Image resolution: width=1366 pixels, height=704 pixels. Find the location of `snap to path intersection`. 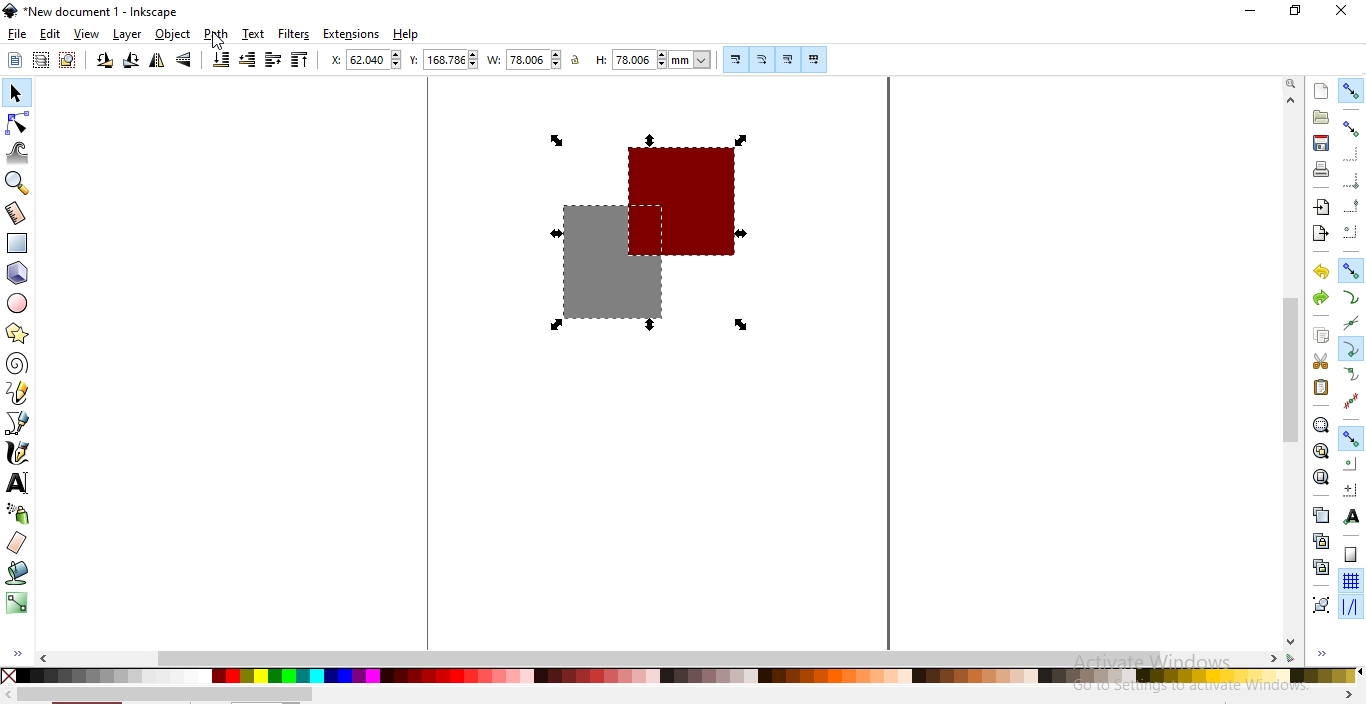

snap to path intersection is located at coordinates (1349, 324).